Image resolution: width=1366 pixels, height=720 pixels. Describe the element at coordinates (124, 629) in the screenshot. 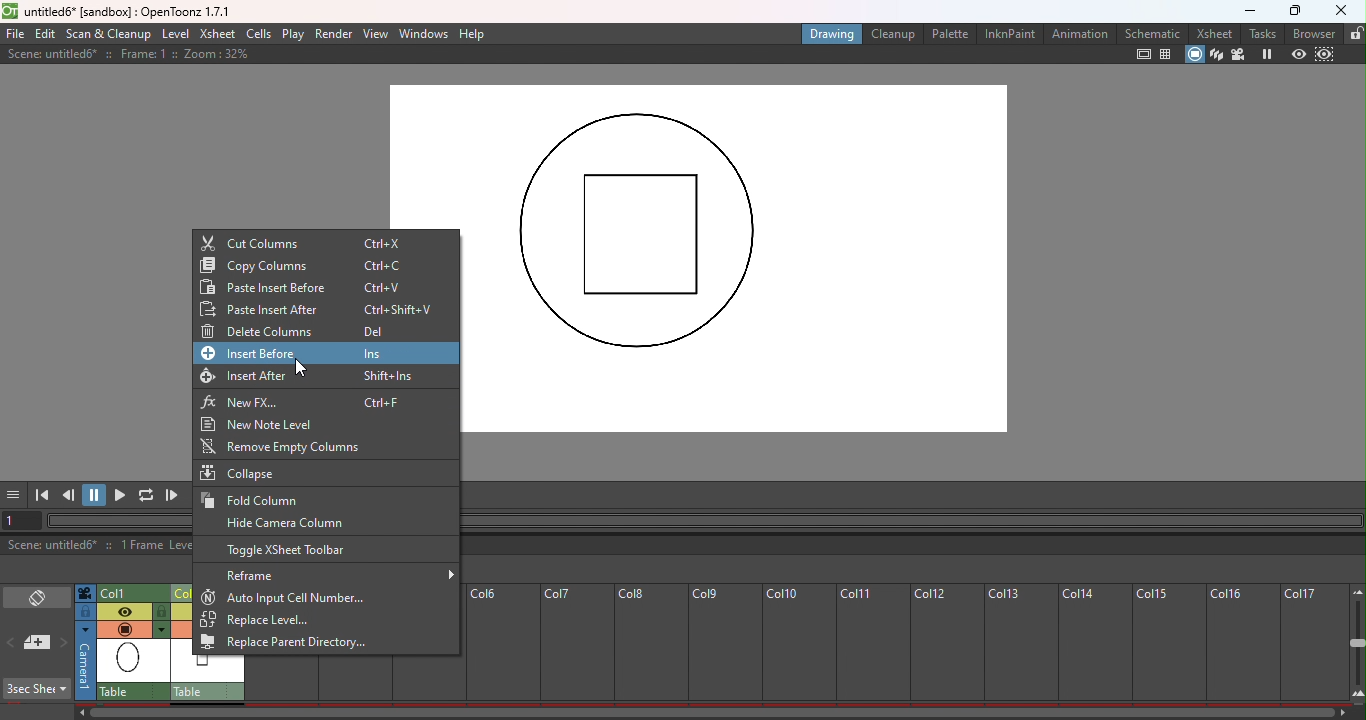

I see `Camera stand visibility toggle` at that location.